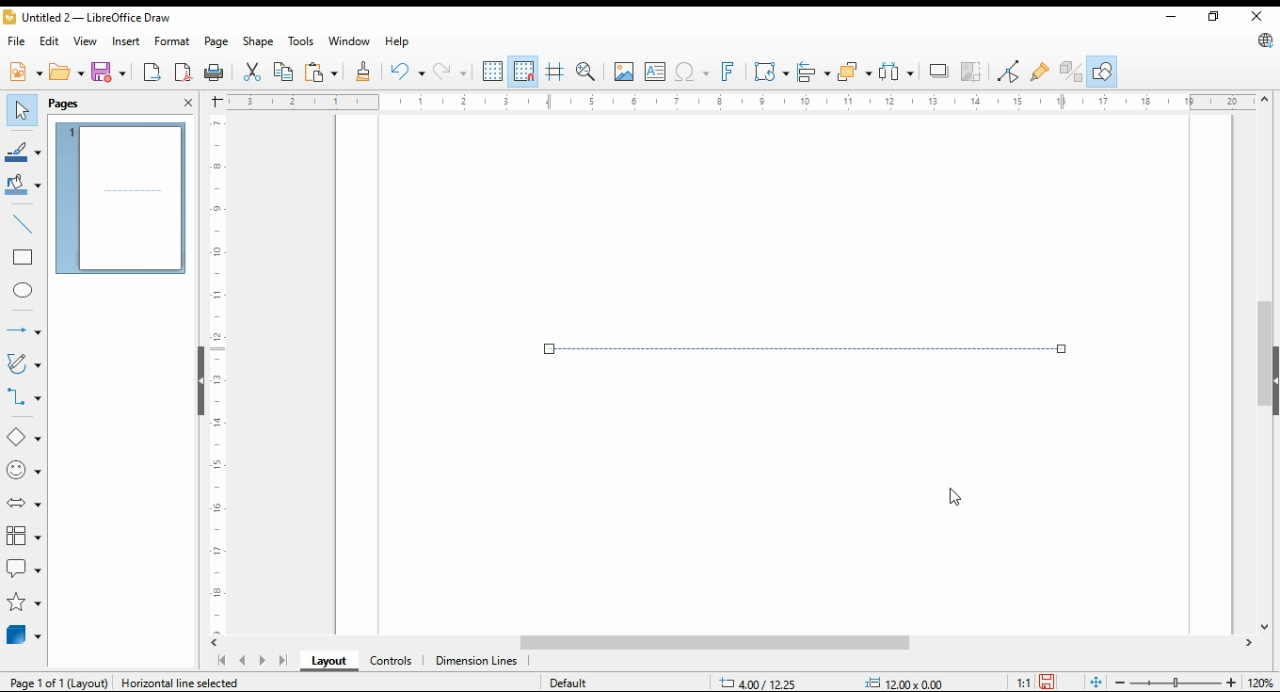 This screenshot has width=1280, height=692. Describe the element at coordinates (189, 102) in the screenshot. I see `close pane` at that location.